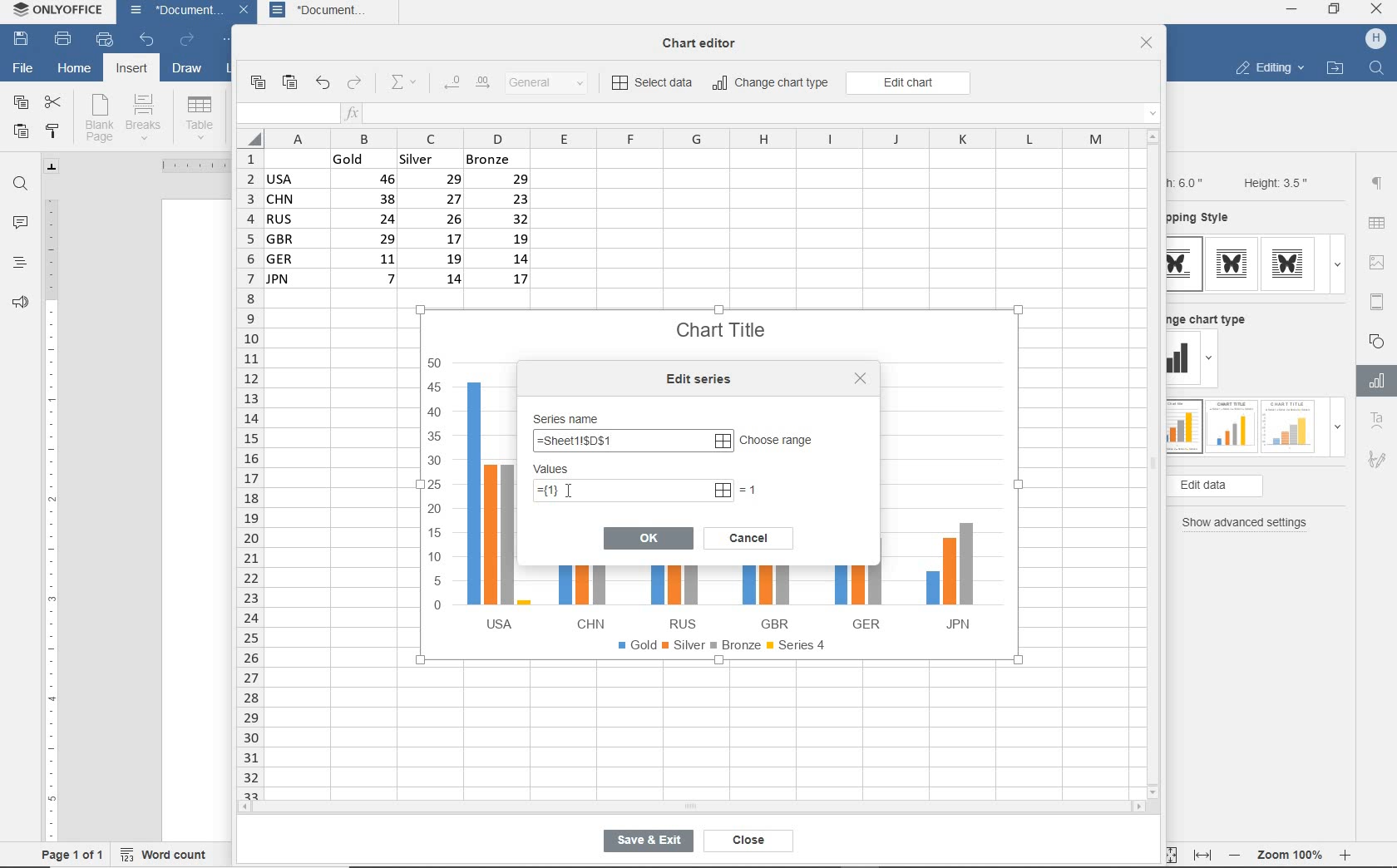 The height and width of the screenshot is (868, 1397). I want to click on open file location, so click(1335, 69).